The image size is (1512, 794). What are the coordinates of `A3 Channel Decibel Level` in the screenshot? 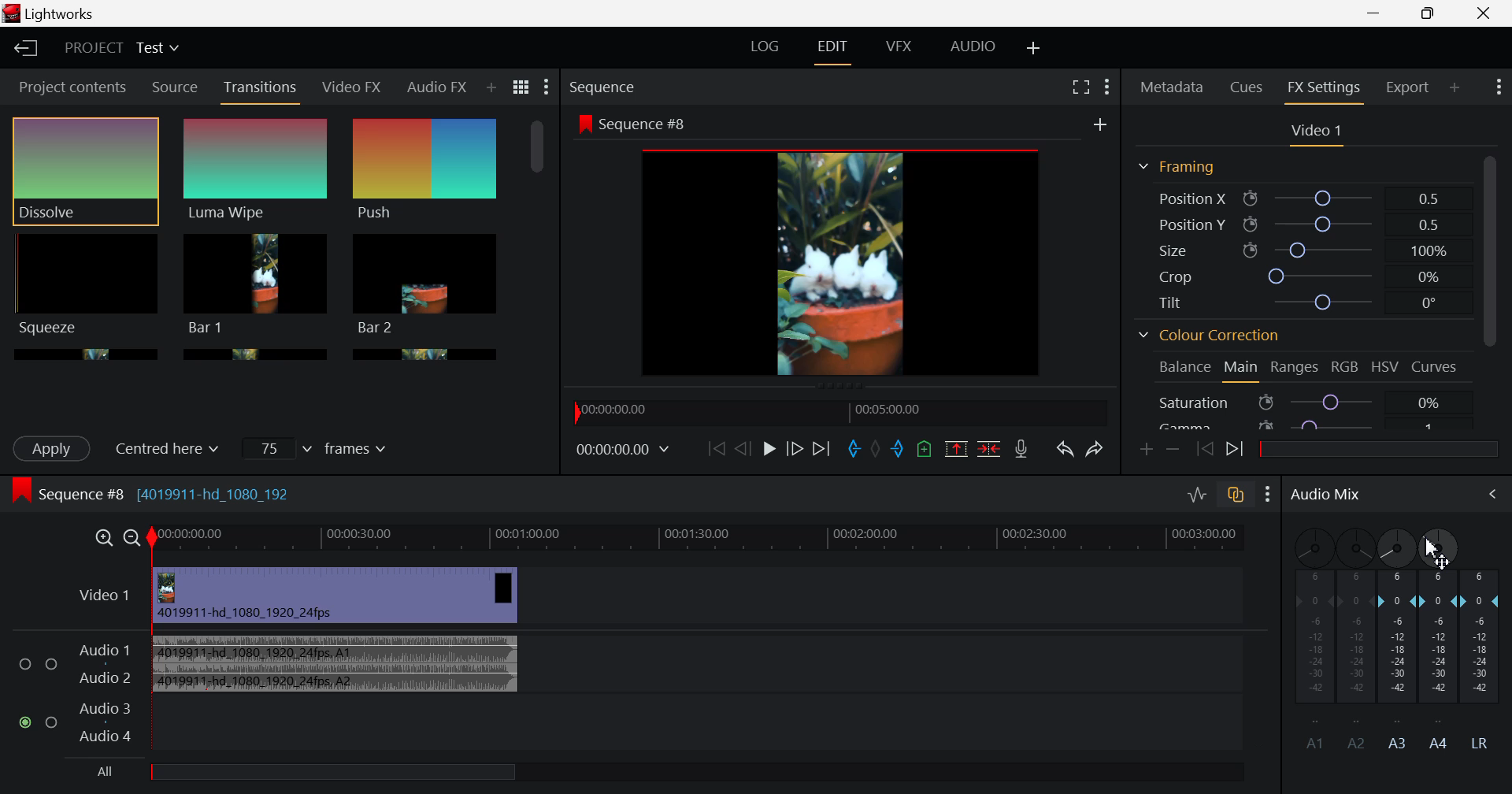 It's located at (1398, 637).